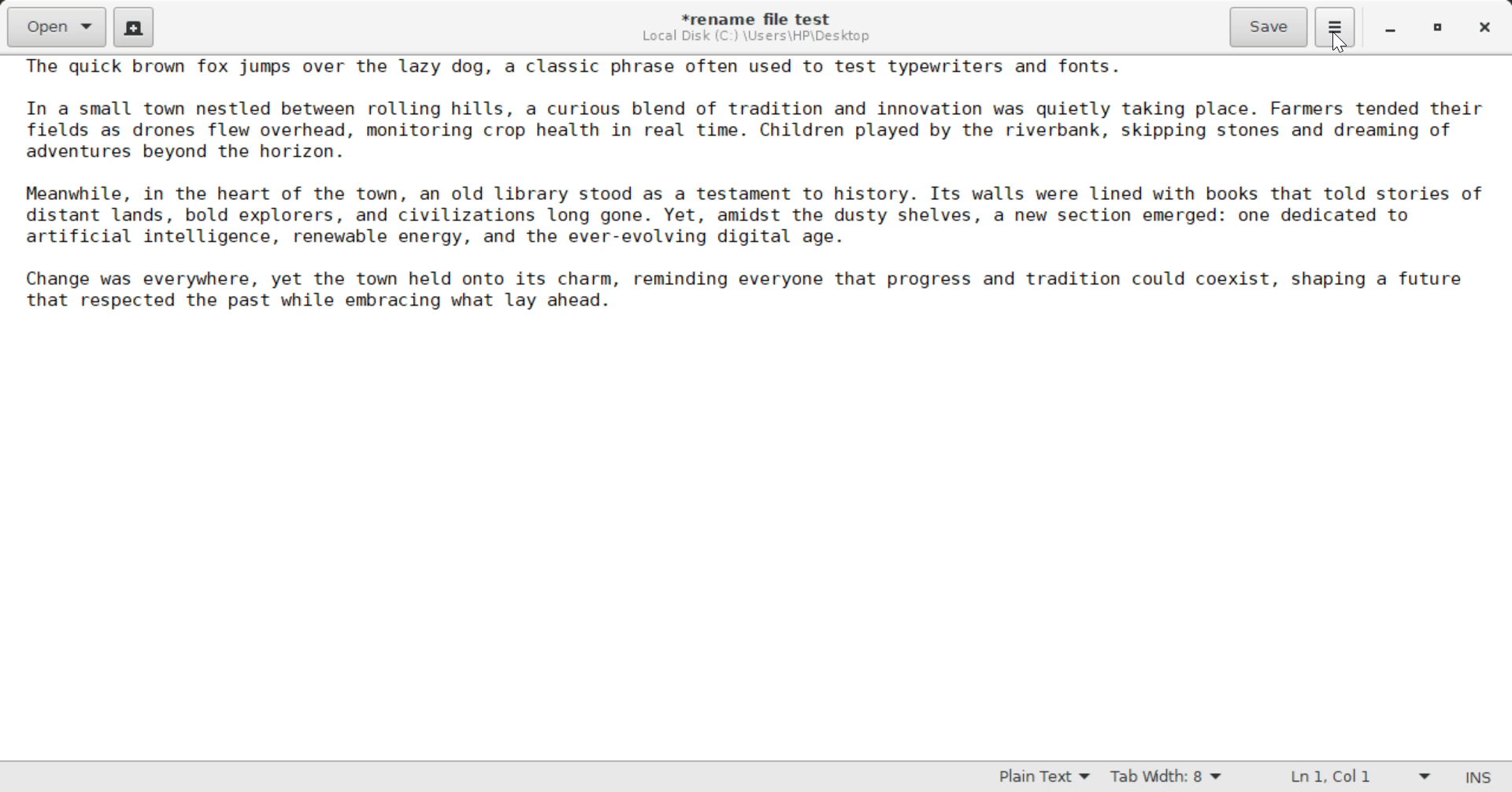 This screenshot has height=792, width=1512. I want to click on Tab Width, so click(1170, 775).